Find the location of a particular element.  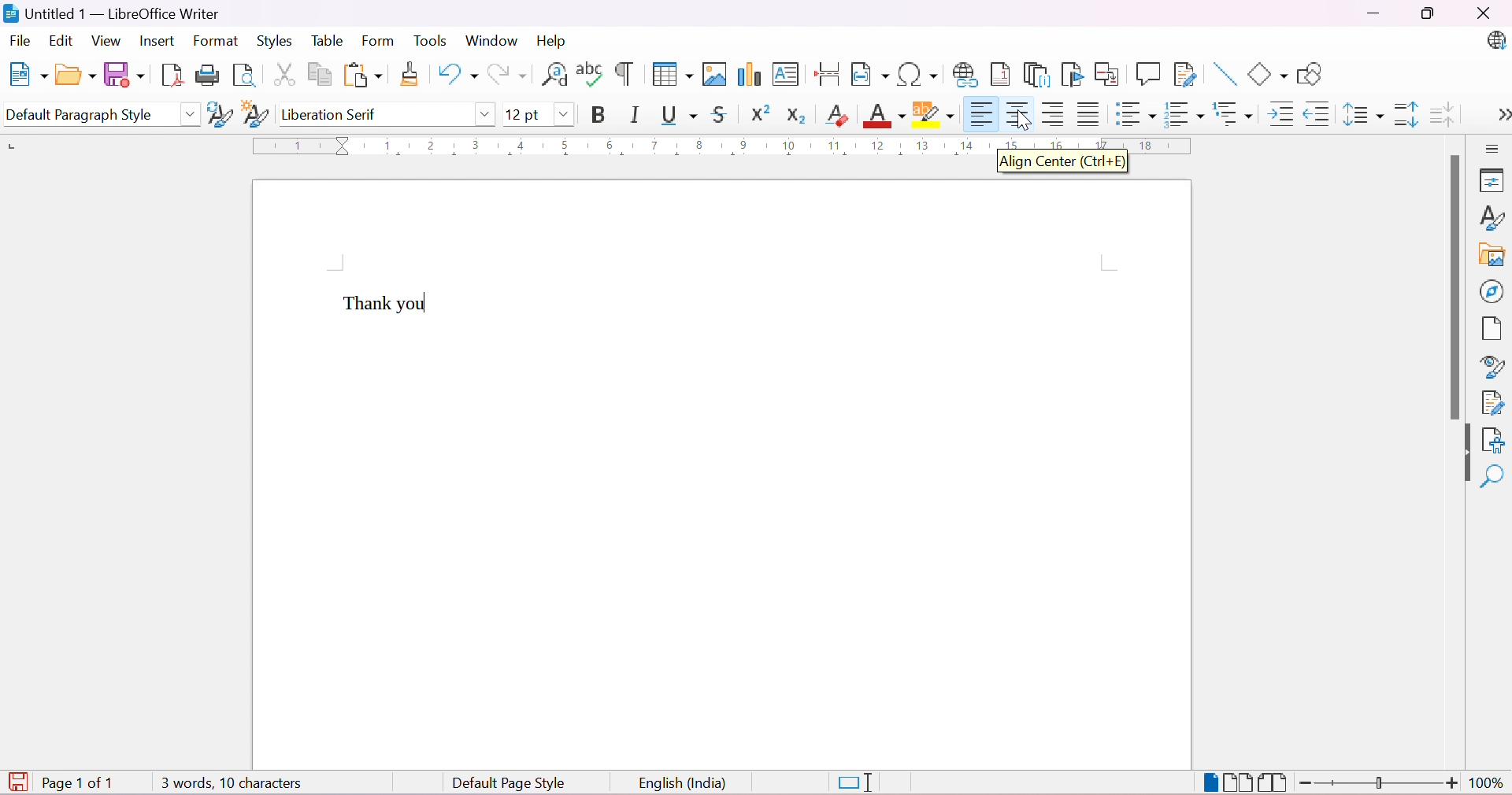

Restore Down is located at coordinates (1428, 13).